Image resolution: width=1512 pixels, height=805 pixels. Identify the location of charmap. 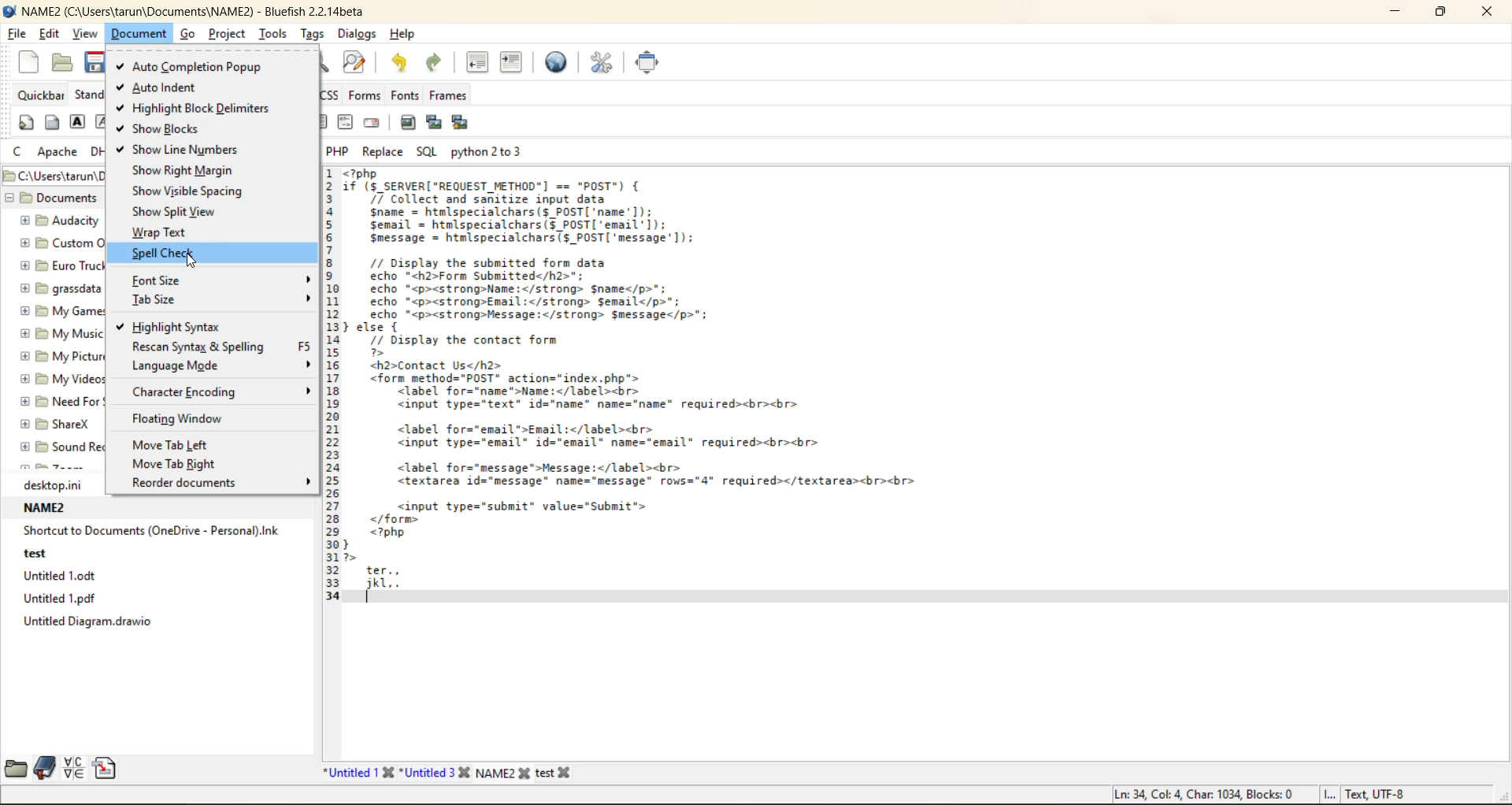
(78, 769).